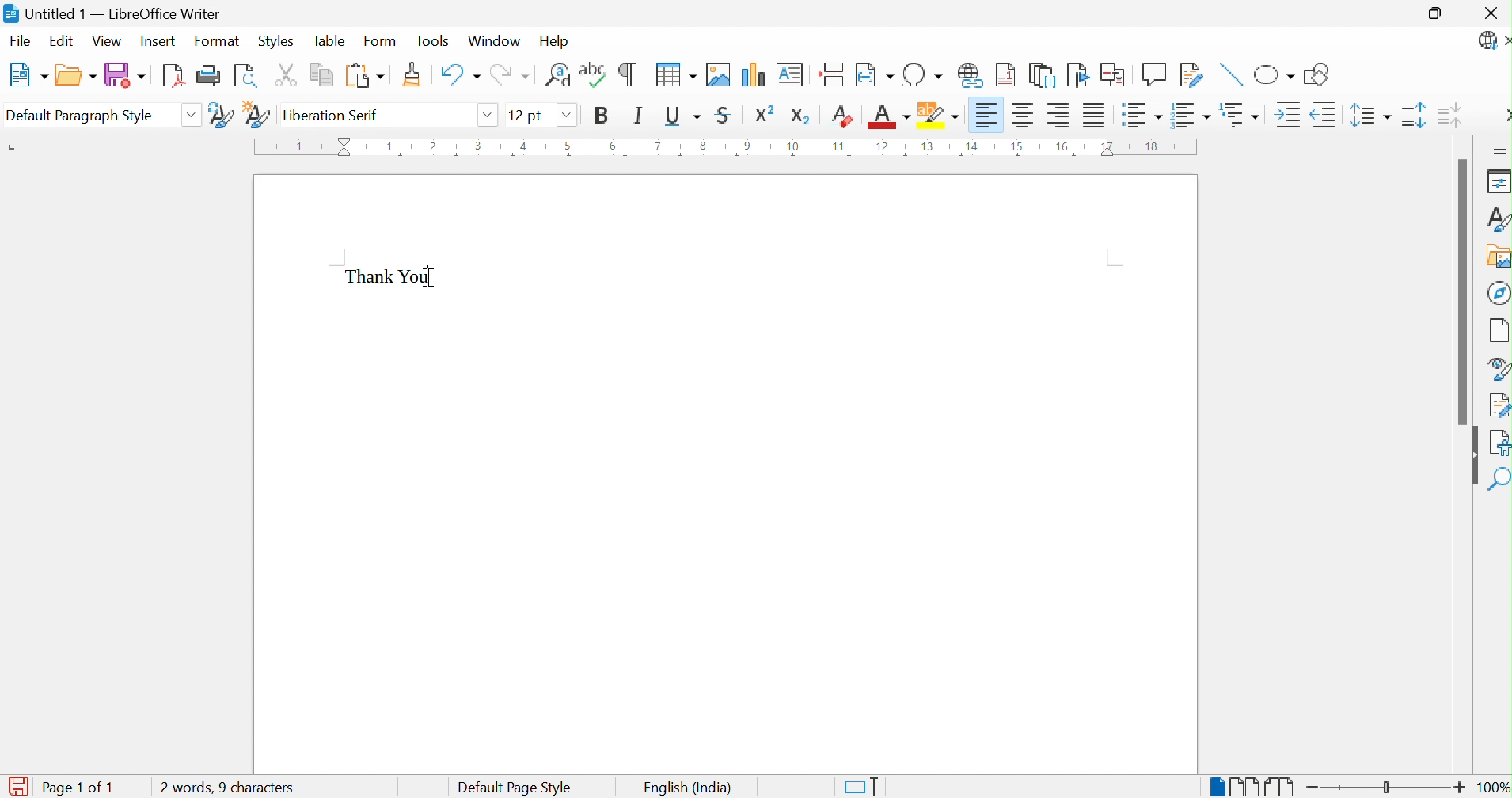  I want to click on Cut, so click(284, 74).